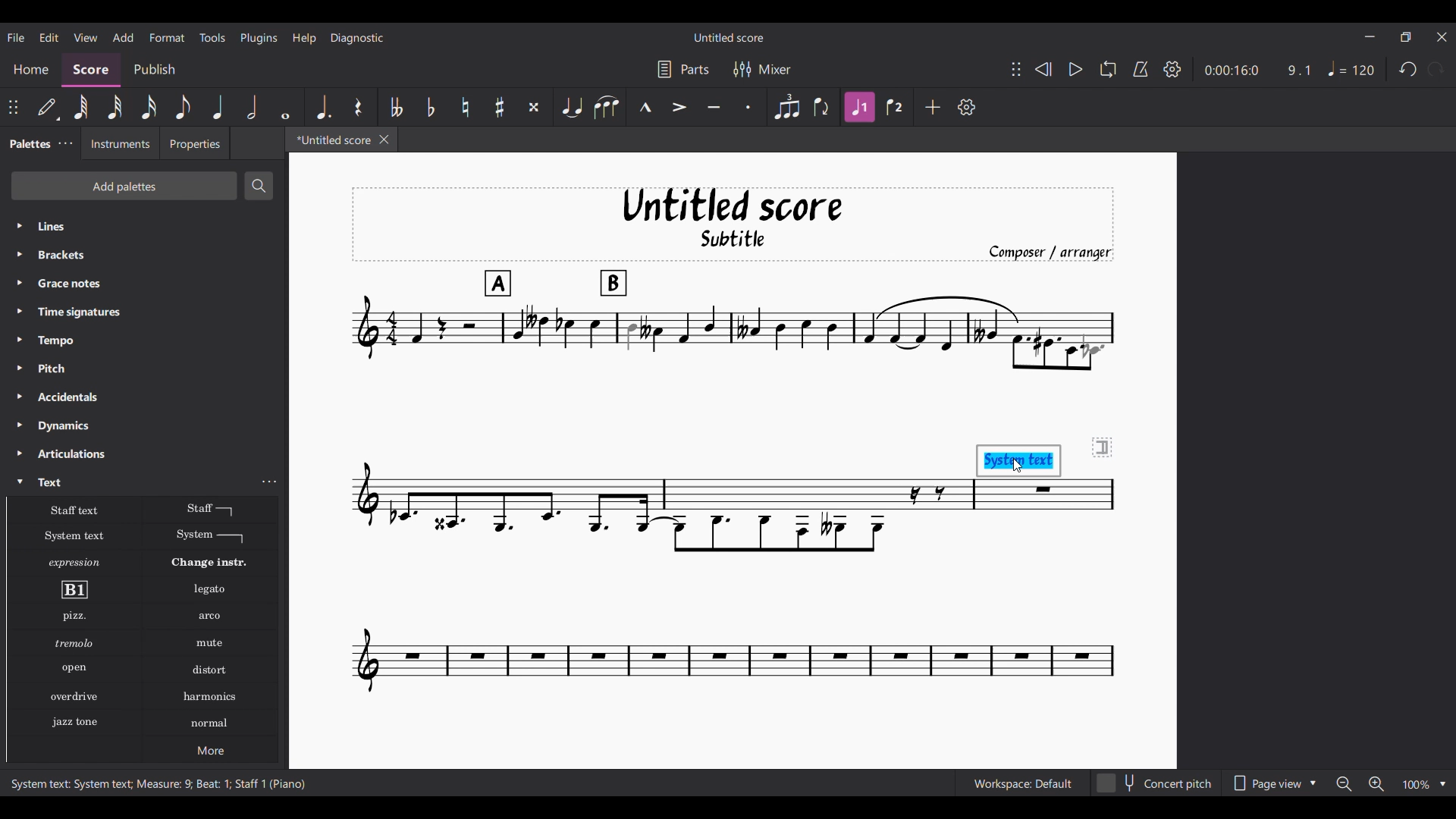 The width and height of the screenshot is (1456, 819). I want to click on Flip direction, so click(822, 106).